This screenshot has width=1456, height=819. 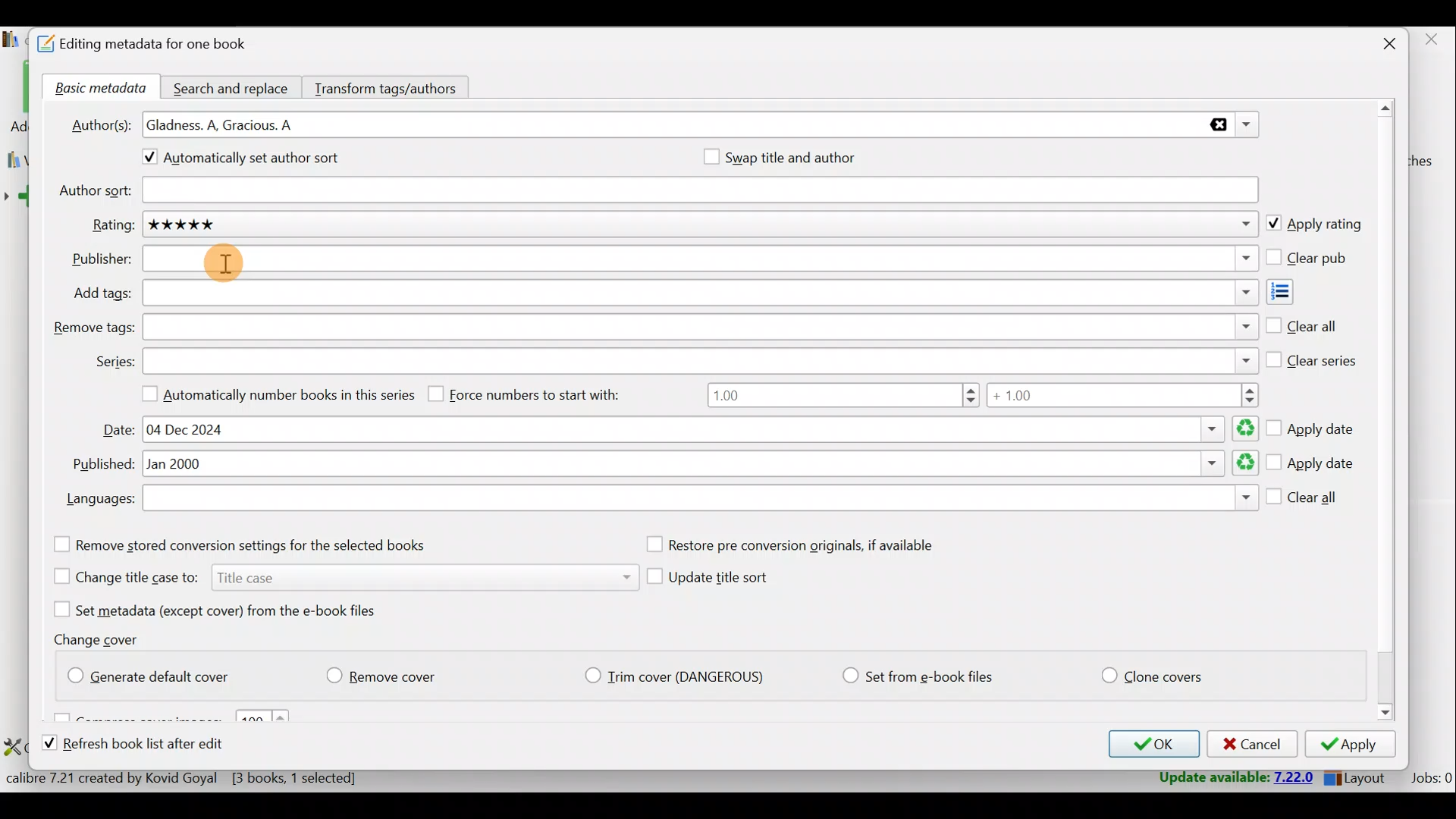 What do you see at coordinates (917, 676) in the screenshot?
I see `Set from e-book files` at bounding box center [917, 676].